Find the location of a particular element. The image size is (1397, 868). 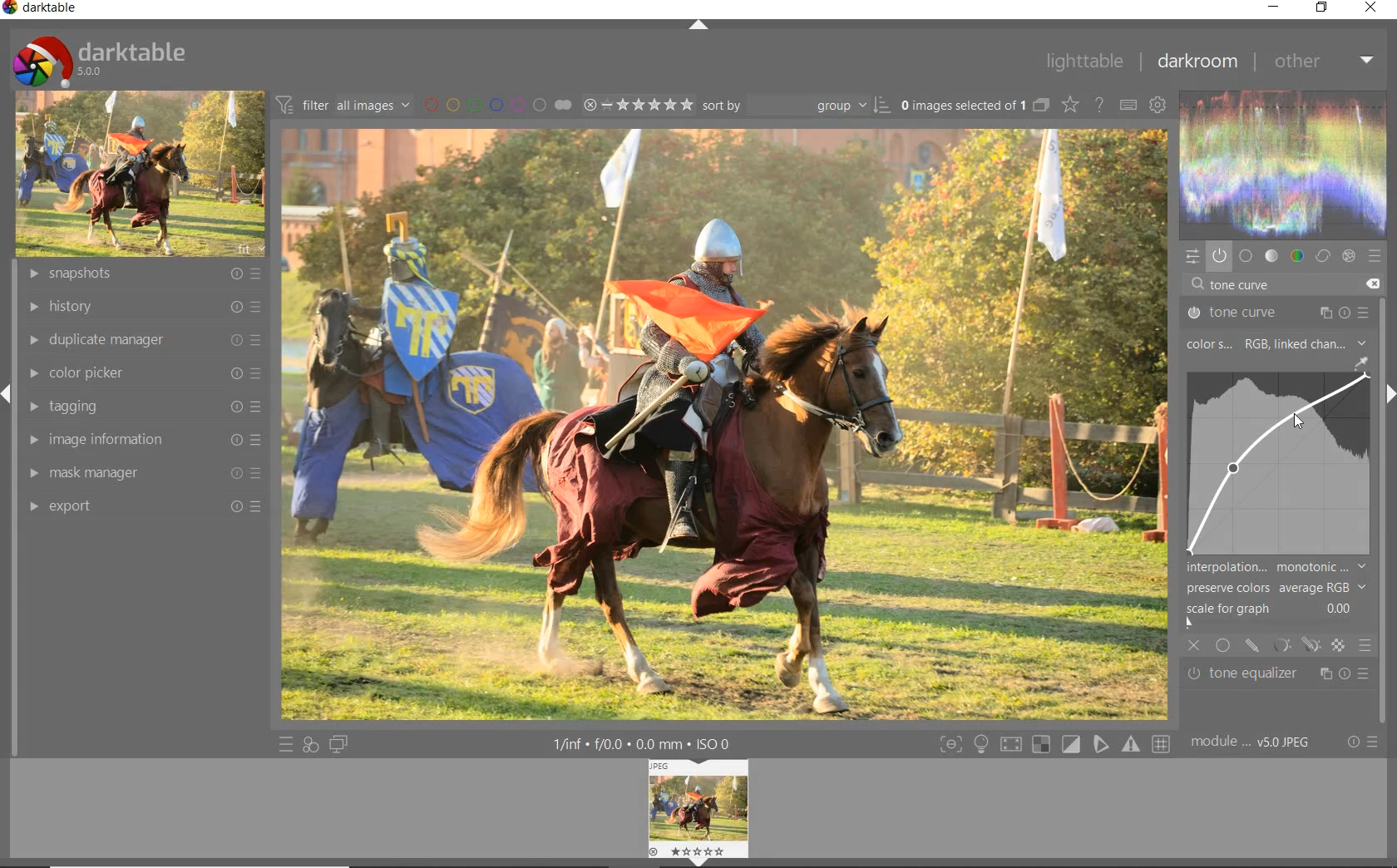

delete is located at coordinates (1371, 283).